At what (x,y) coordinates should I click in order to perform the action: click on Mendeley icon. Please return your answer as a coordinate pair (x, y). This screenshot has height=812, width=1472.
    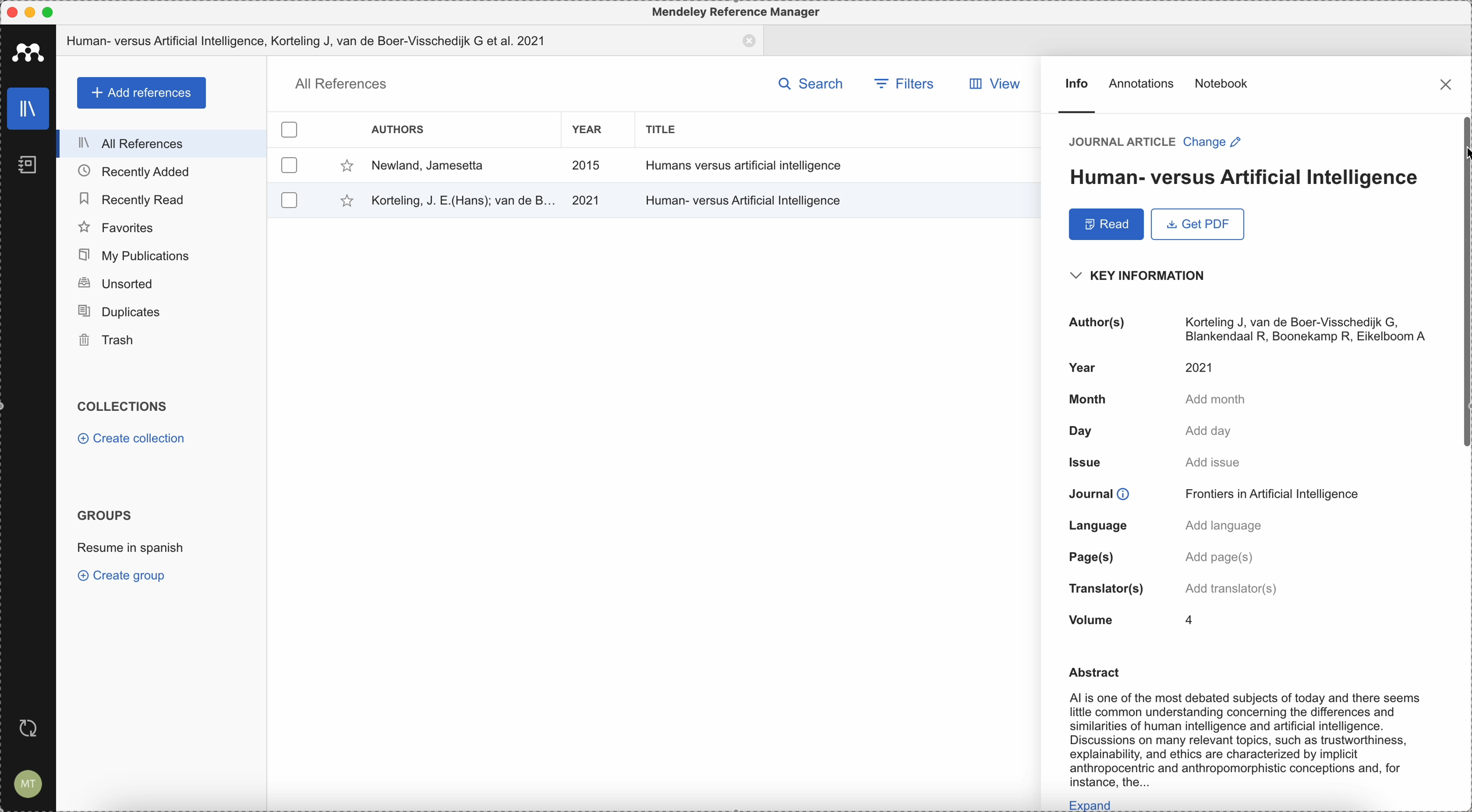
    Looking at the image, I should click on (27, 52).